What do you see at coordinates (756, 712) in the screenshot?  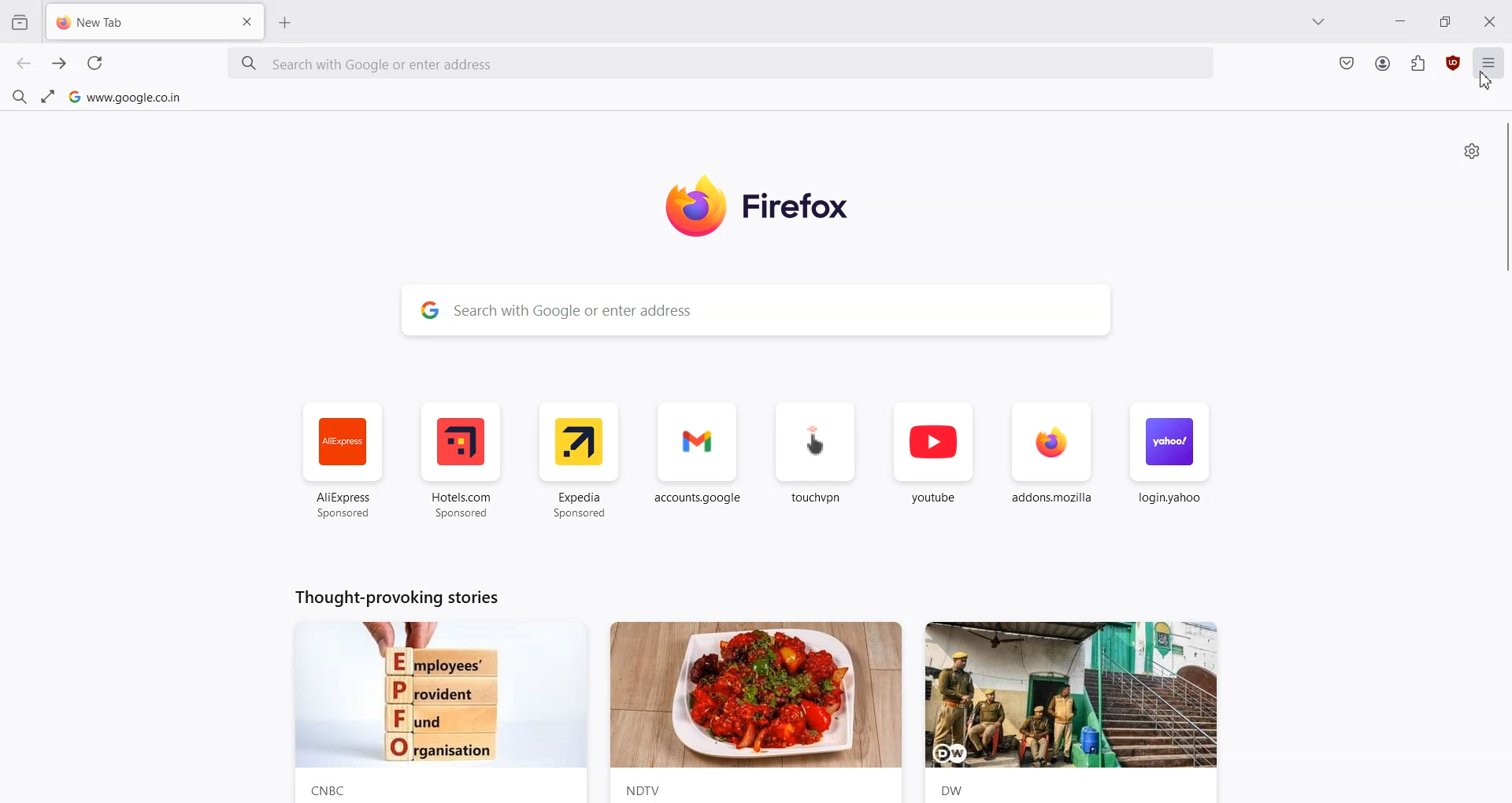 I see `News` at bounding box center [756, 712].